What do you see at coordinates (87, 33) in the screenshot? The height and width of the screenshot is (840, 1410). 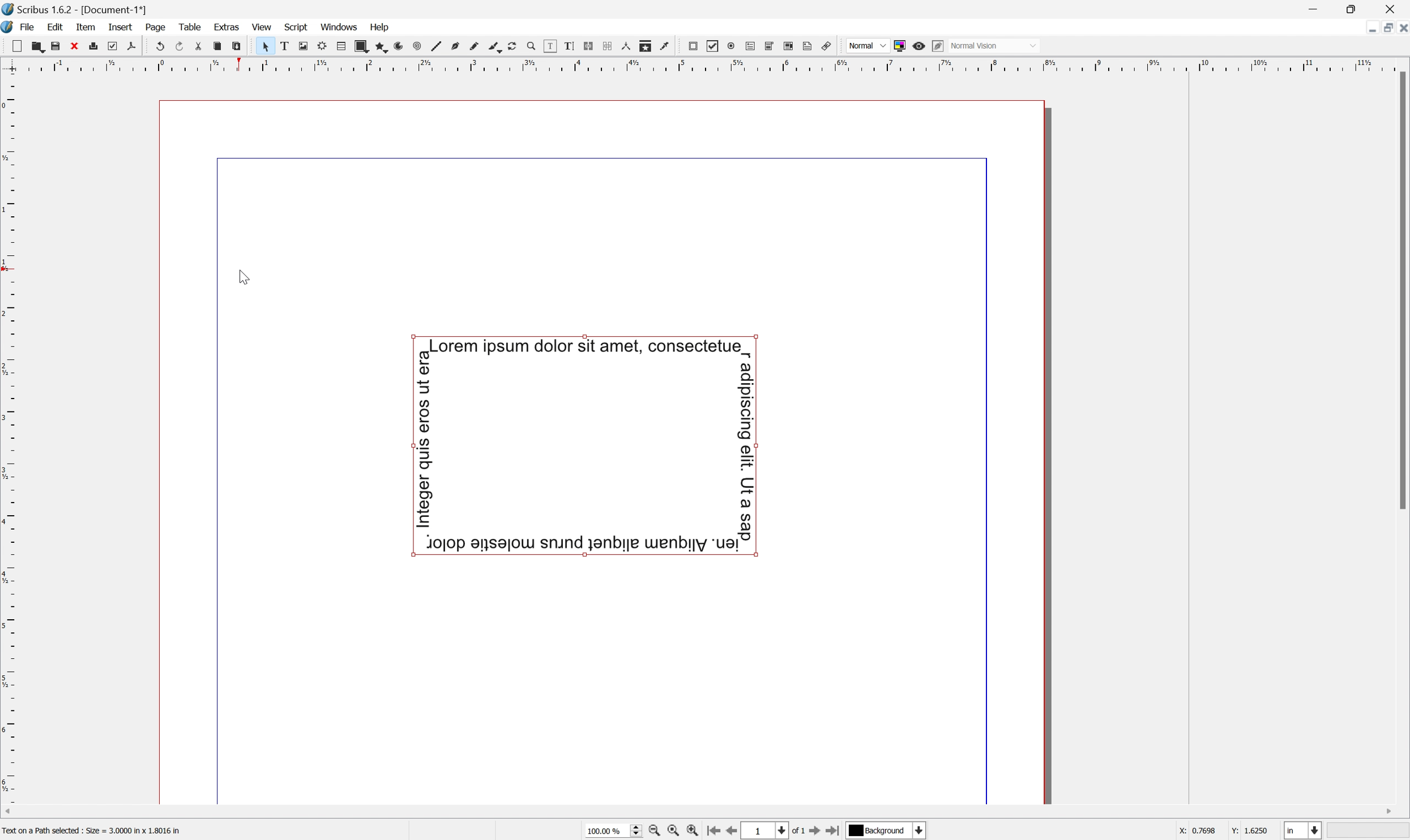 I see `Cursor` at bounding box center [87, 33].